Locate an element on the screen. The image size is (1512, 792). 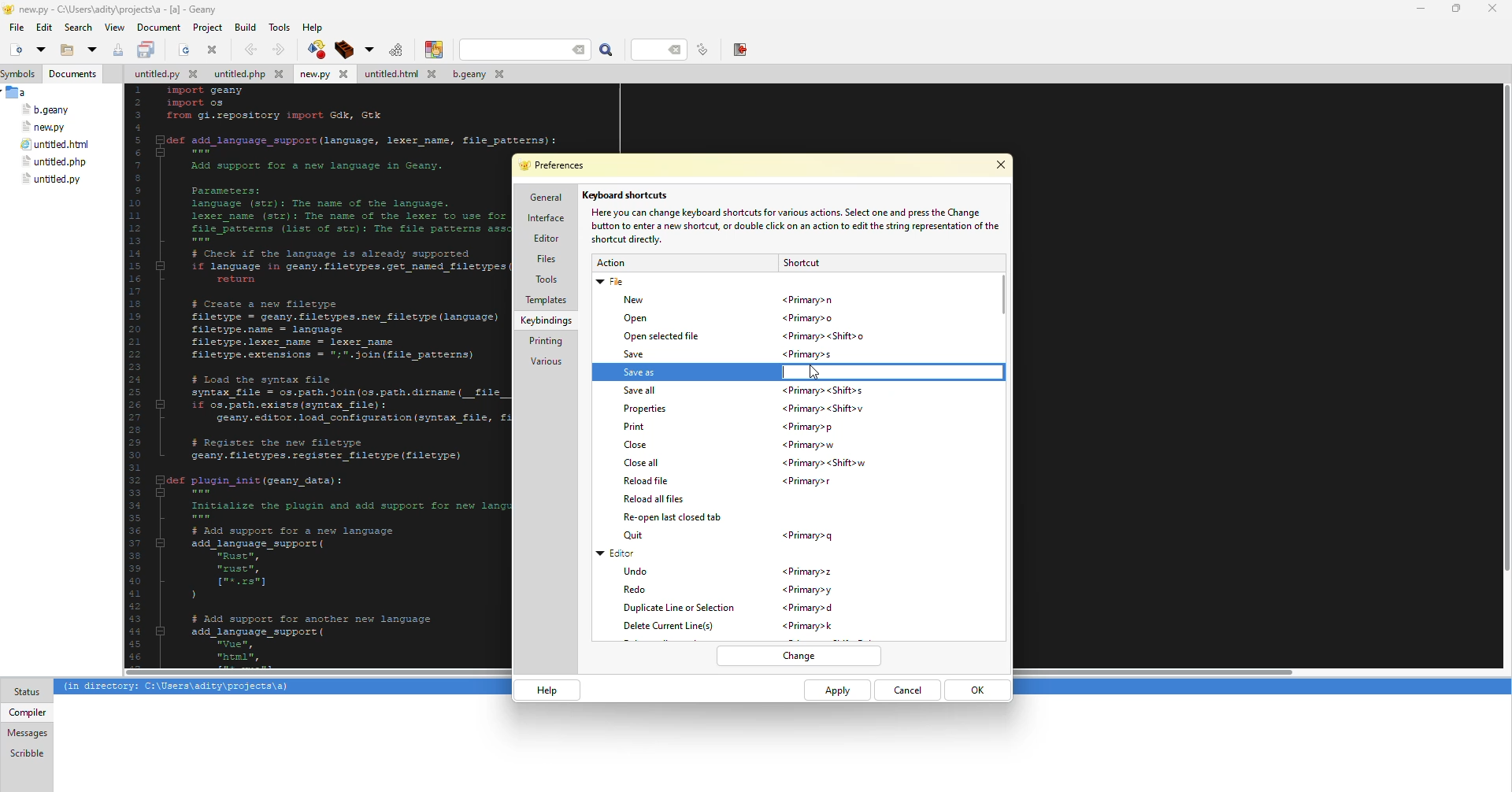
open selected is located at coordinates (663, 337).